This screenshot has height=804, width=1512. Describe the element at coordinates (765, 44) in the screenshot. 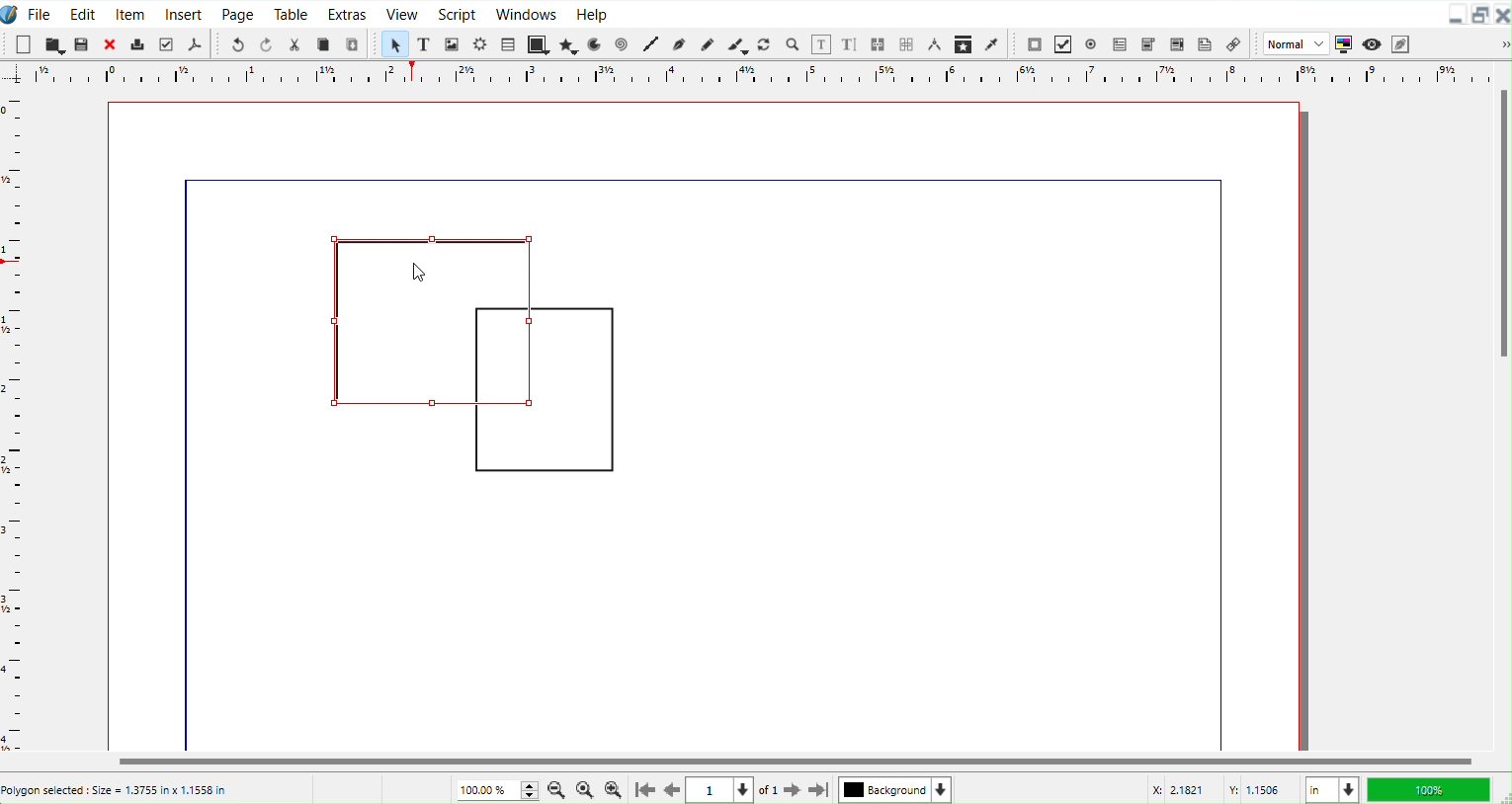

I see `Rotate Item` at that location.